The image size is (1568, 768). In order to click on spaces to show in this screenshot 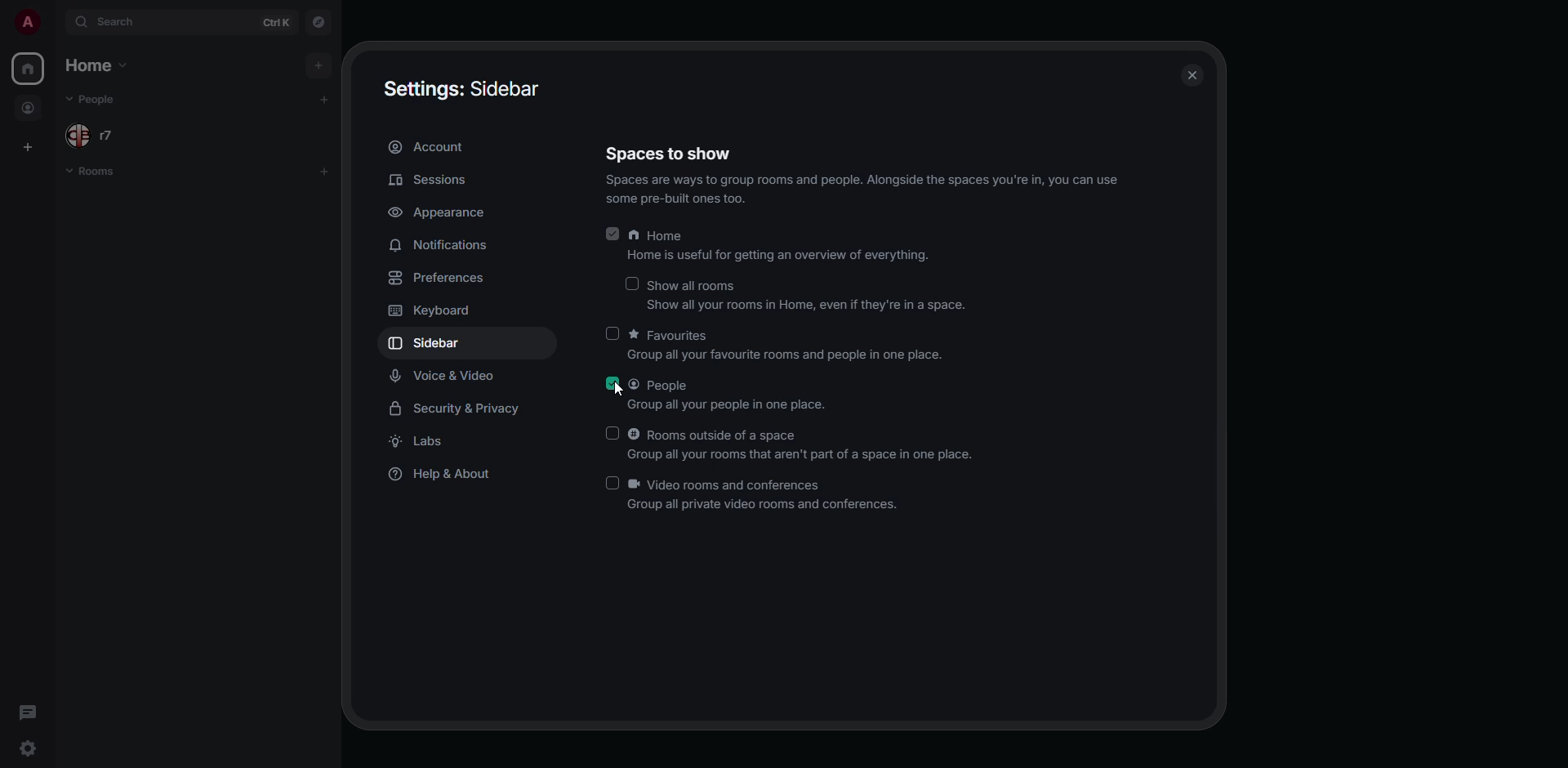, I will do `click(675, 155)`.